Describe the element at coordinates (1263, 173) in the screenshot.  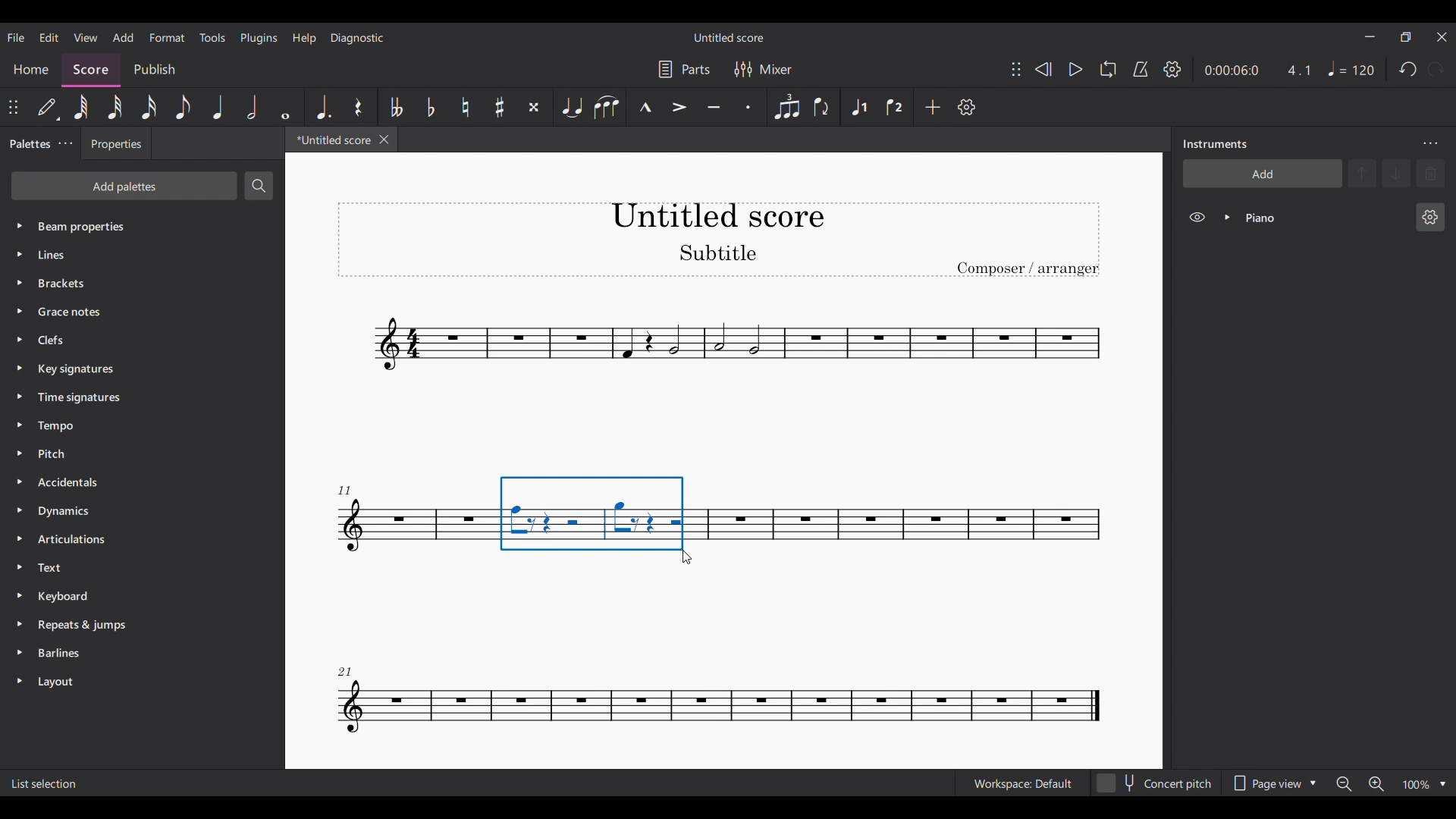
I see `Add instrument` at that location.